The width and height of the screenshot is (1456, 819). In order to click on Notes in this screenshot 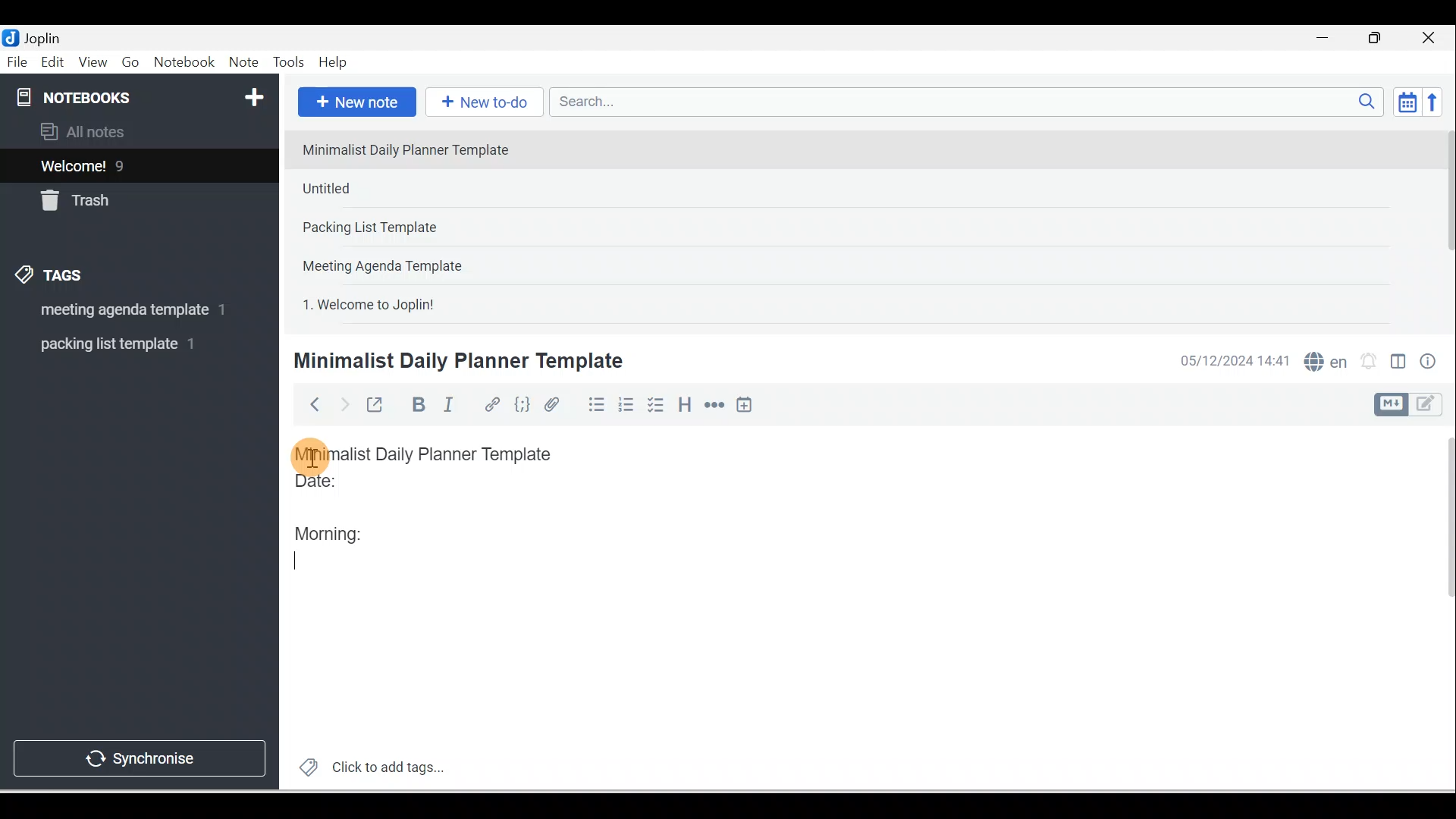, I will do `click(128, 162)`.